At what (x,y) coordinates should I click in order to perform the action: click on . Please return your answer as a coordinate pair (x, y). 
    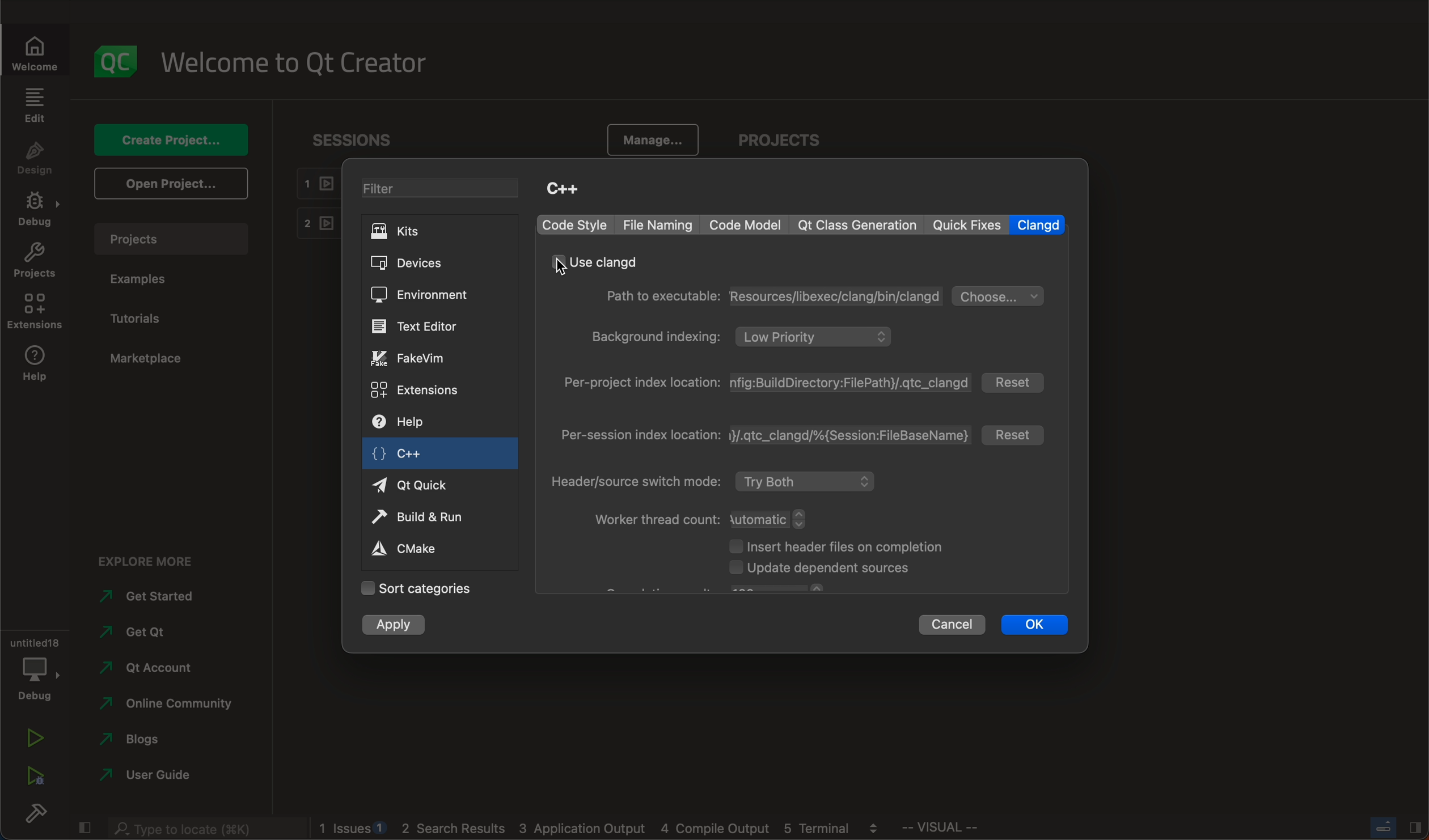
    Looking at the image, I should click on (1398, 828).